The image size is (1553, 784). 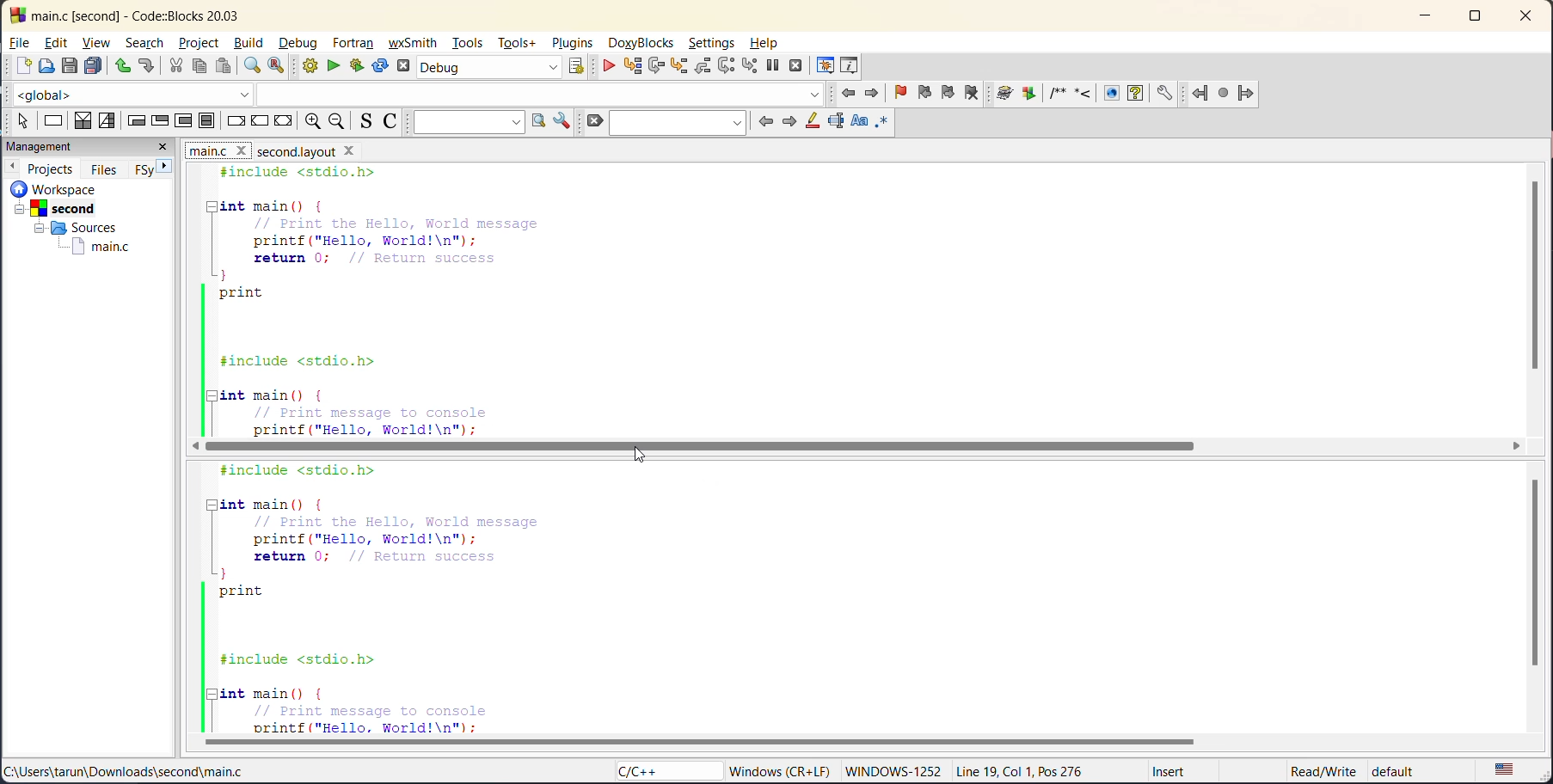 I want to click on clear, so click(x=592, y=121).